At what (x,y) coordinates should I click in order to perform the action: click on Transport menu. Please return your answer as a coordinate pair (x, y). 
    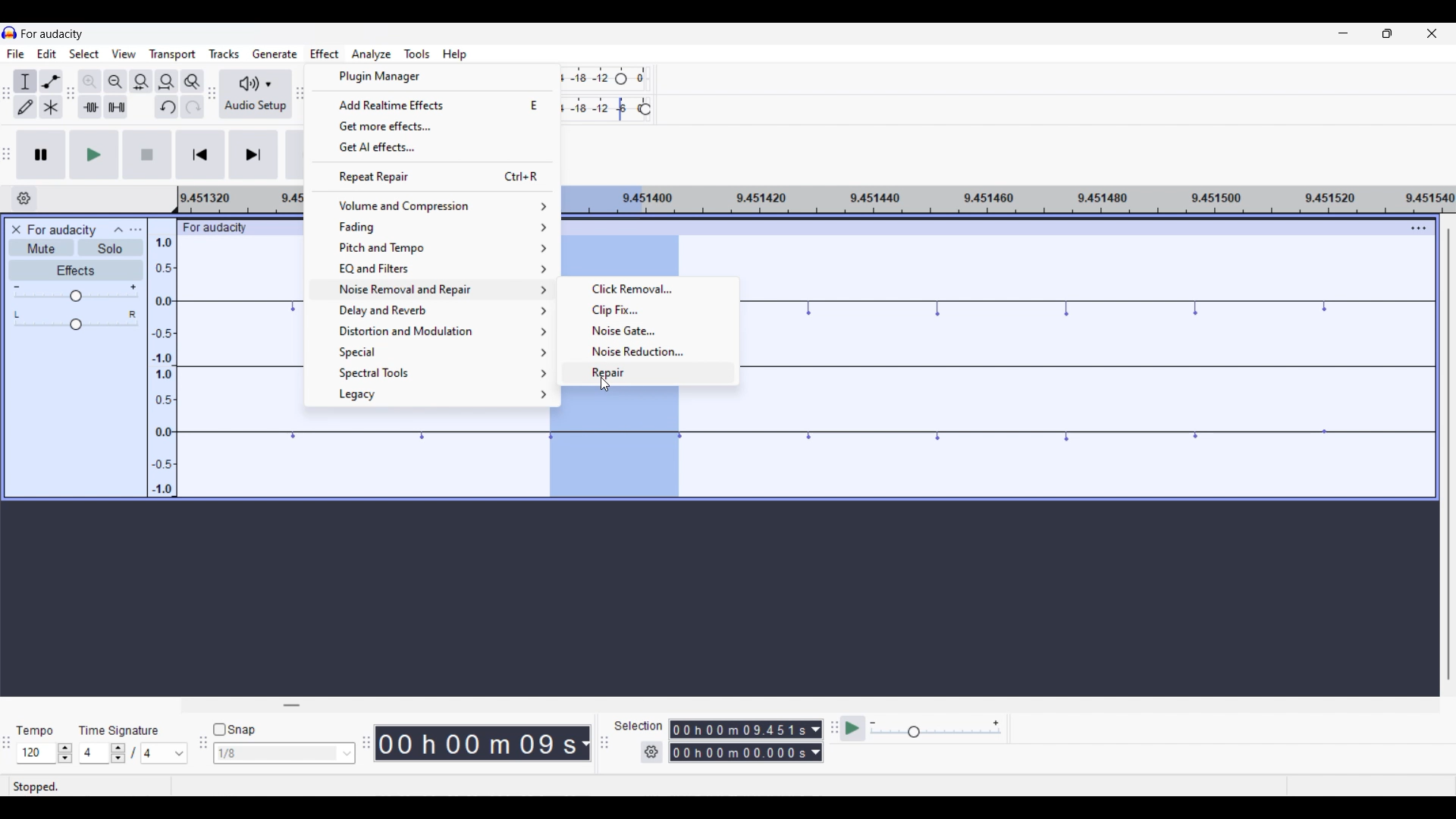
    Looking at the image, I should click on (172, 55).